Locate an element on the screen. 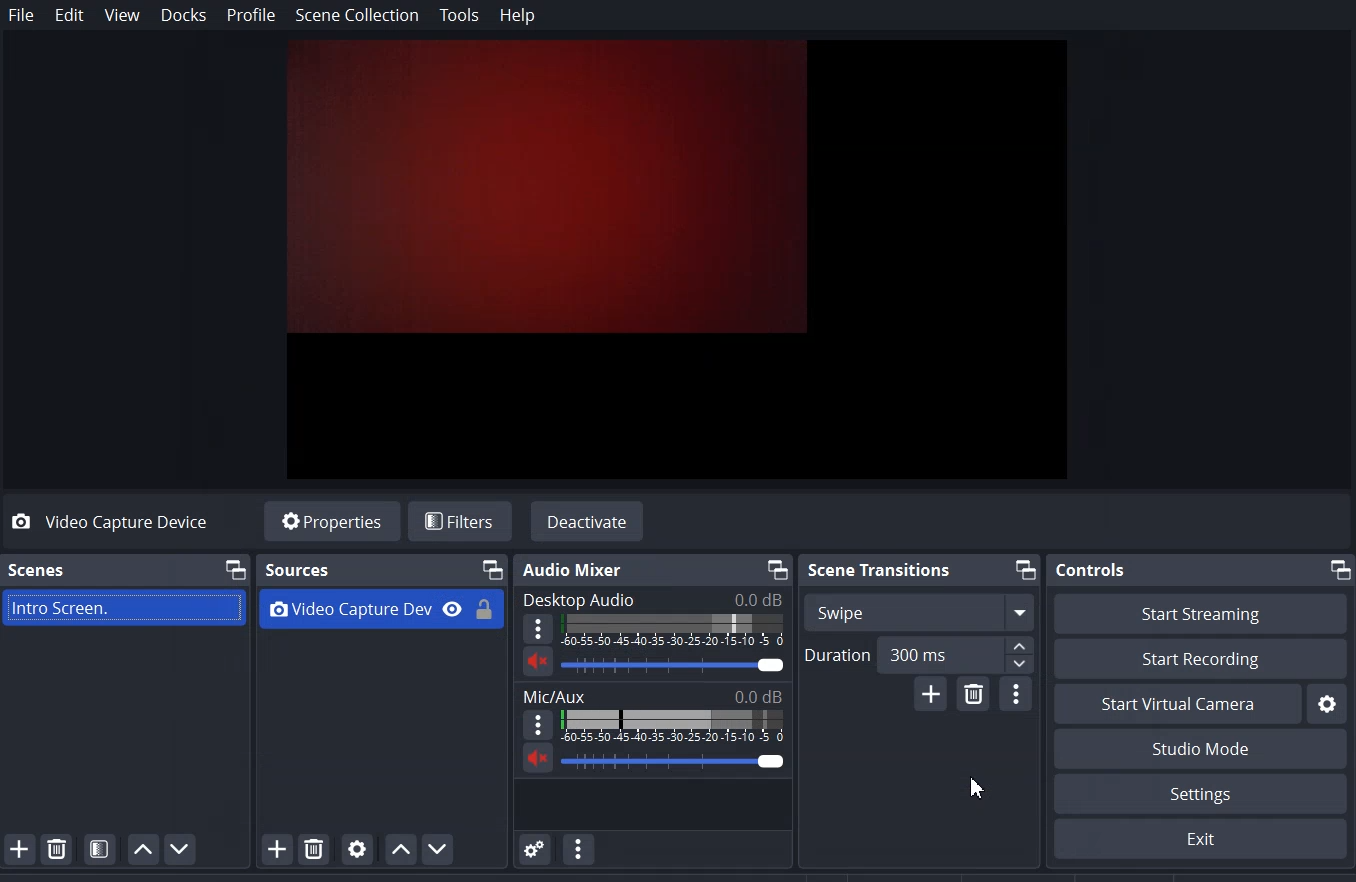 The image size is (1356, 882). Start Streaming is located at coordinates (1199, 613).